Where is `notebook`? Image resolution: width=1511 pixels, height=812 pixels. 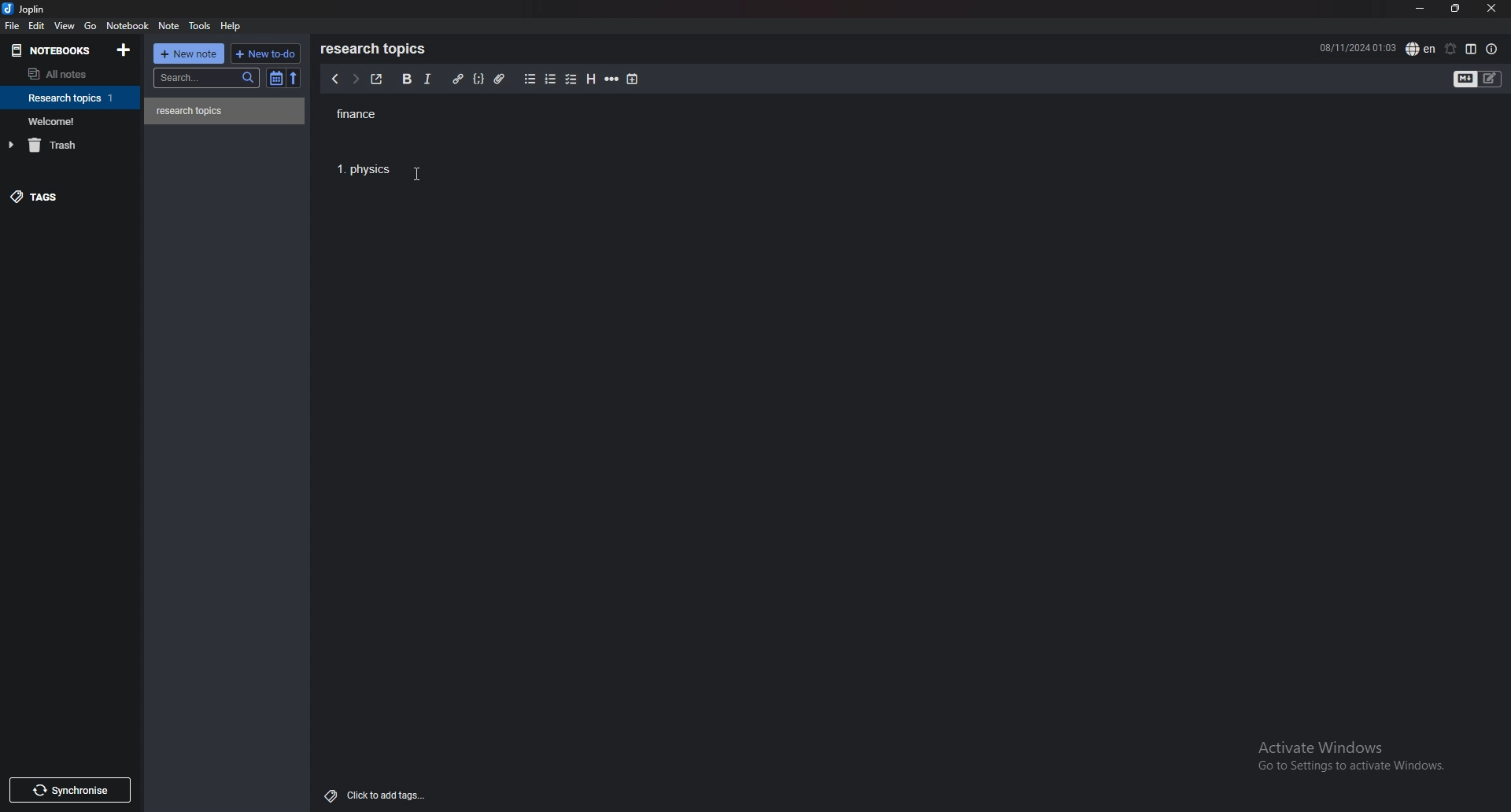 notebook is located at coordinates (72, 120).